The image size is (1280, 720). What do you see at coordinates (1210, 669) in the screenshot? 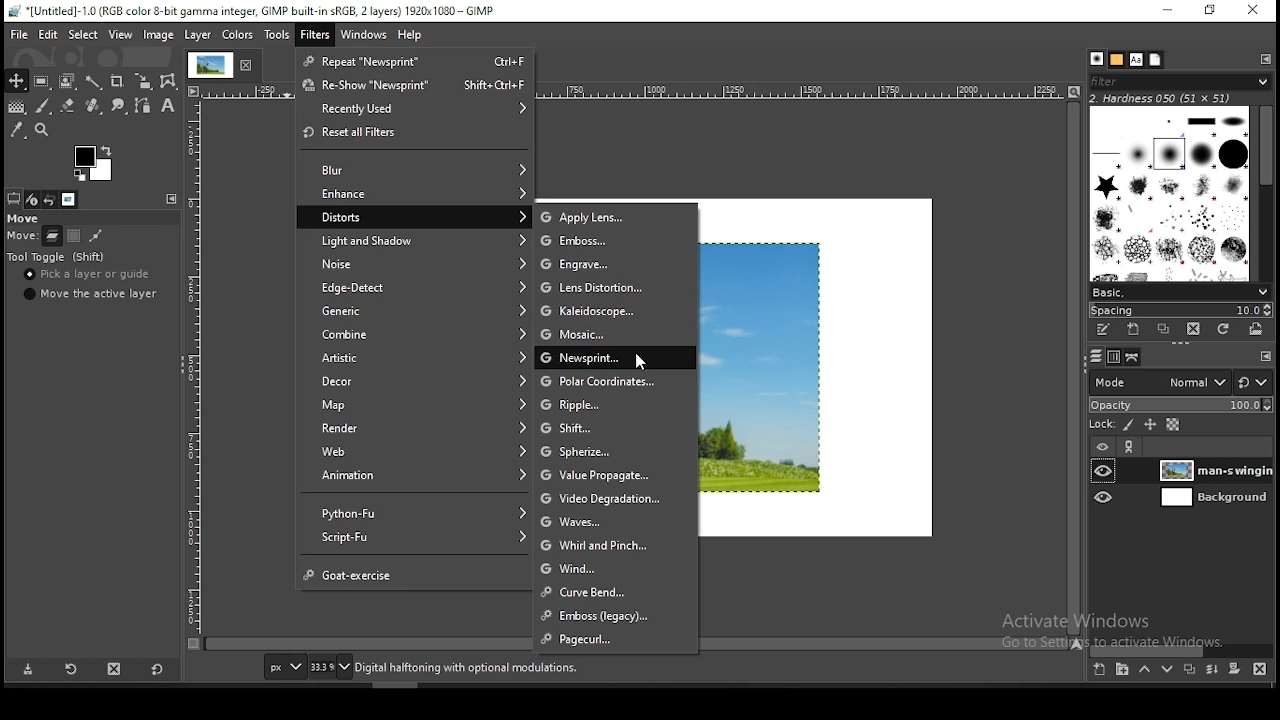
I see `merge layers` at bounding box center [1210, 669].